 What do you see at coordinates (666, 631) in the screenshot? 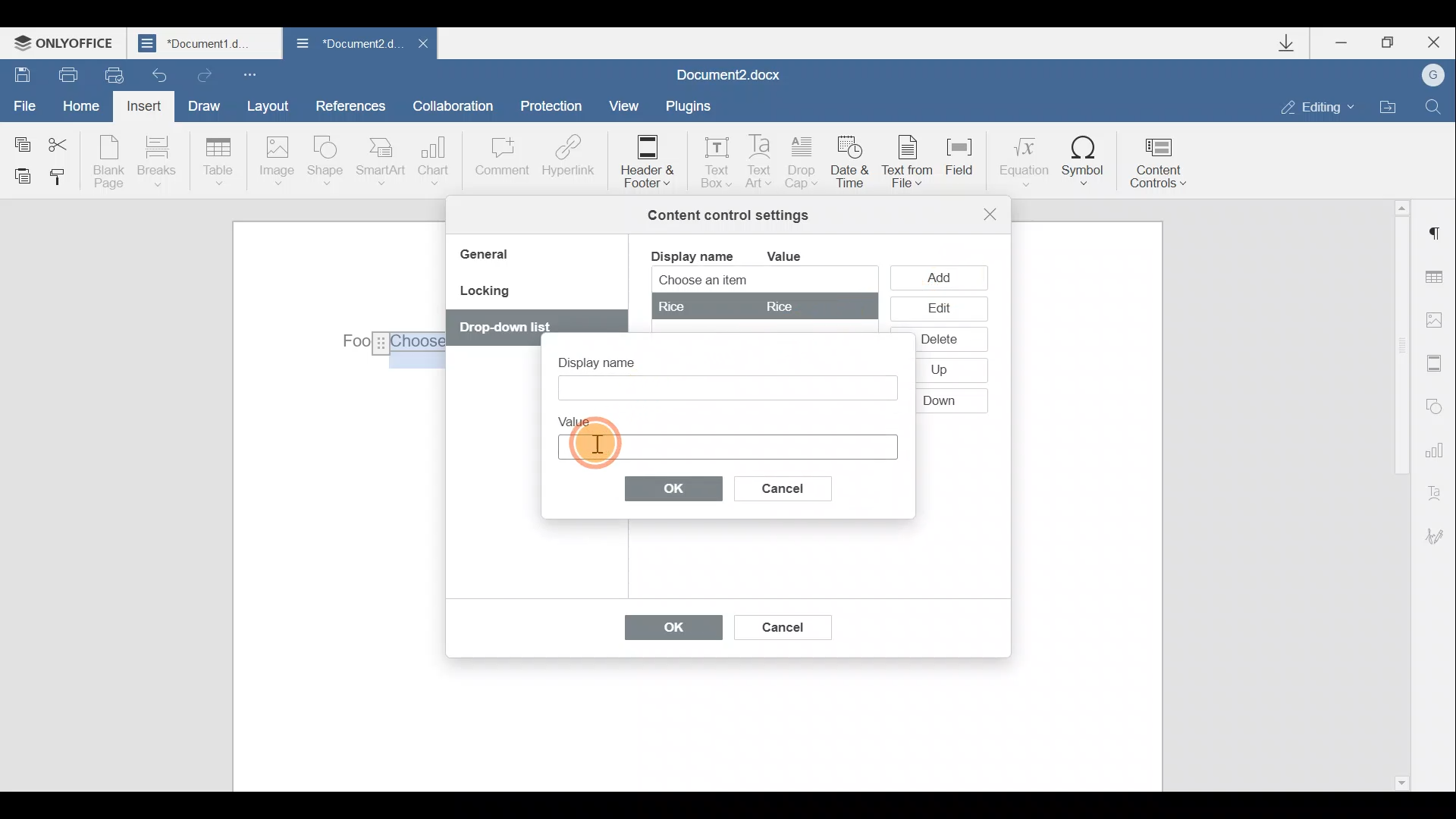
I see `OK` at bounding box center [666, 631].